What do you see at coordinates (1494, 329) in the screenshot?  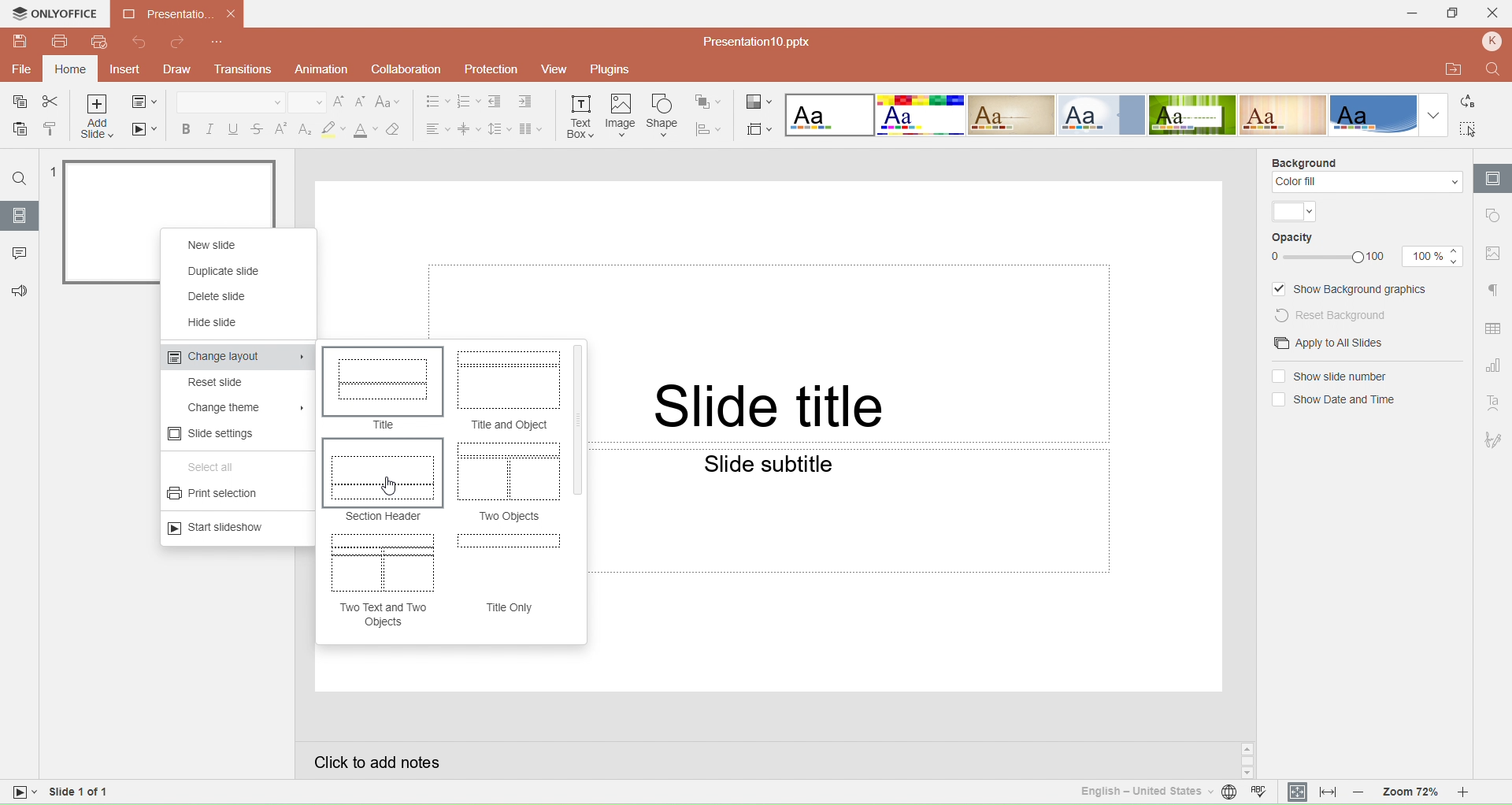 I see `Table setting` at bounding box center [1494, 329].